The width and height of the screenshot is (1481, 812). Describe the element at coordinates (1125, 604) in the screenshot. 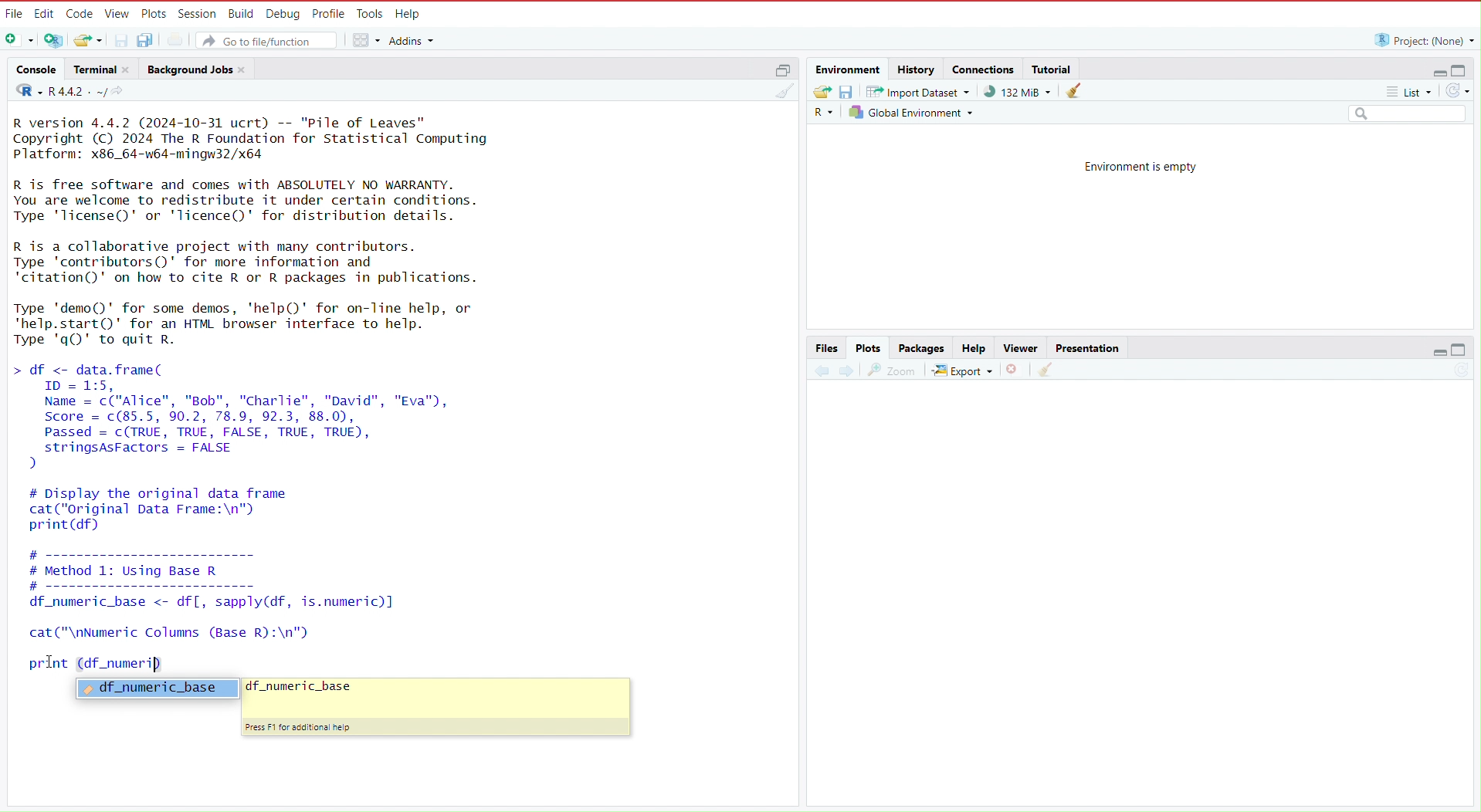

I see `empty area` at that location.